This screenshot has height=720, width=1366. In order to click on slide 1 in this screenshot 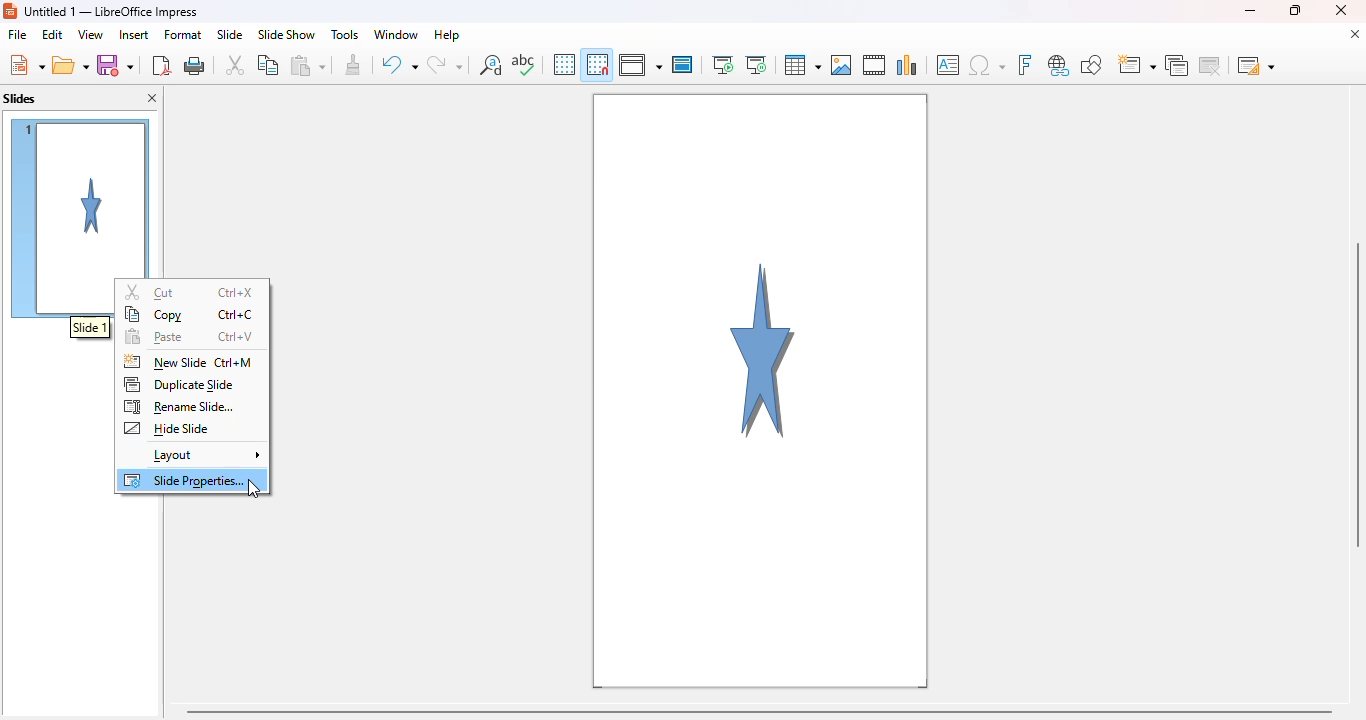, I will do `click(90, 327)`.